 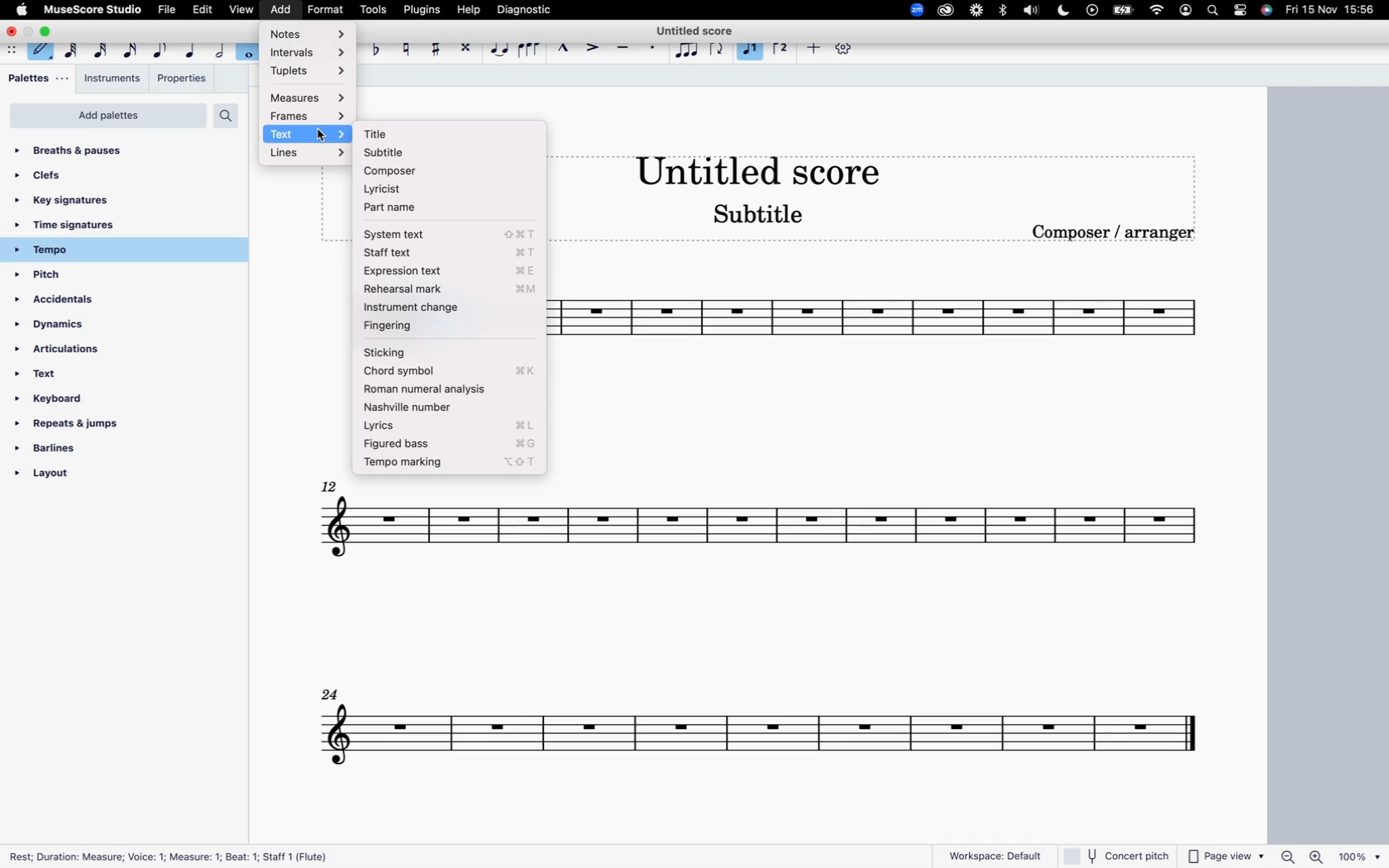 What do you see at coordinates (22, 9) in the screenshot?
I see `apple` at bounding box center [22, 9].